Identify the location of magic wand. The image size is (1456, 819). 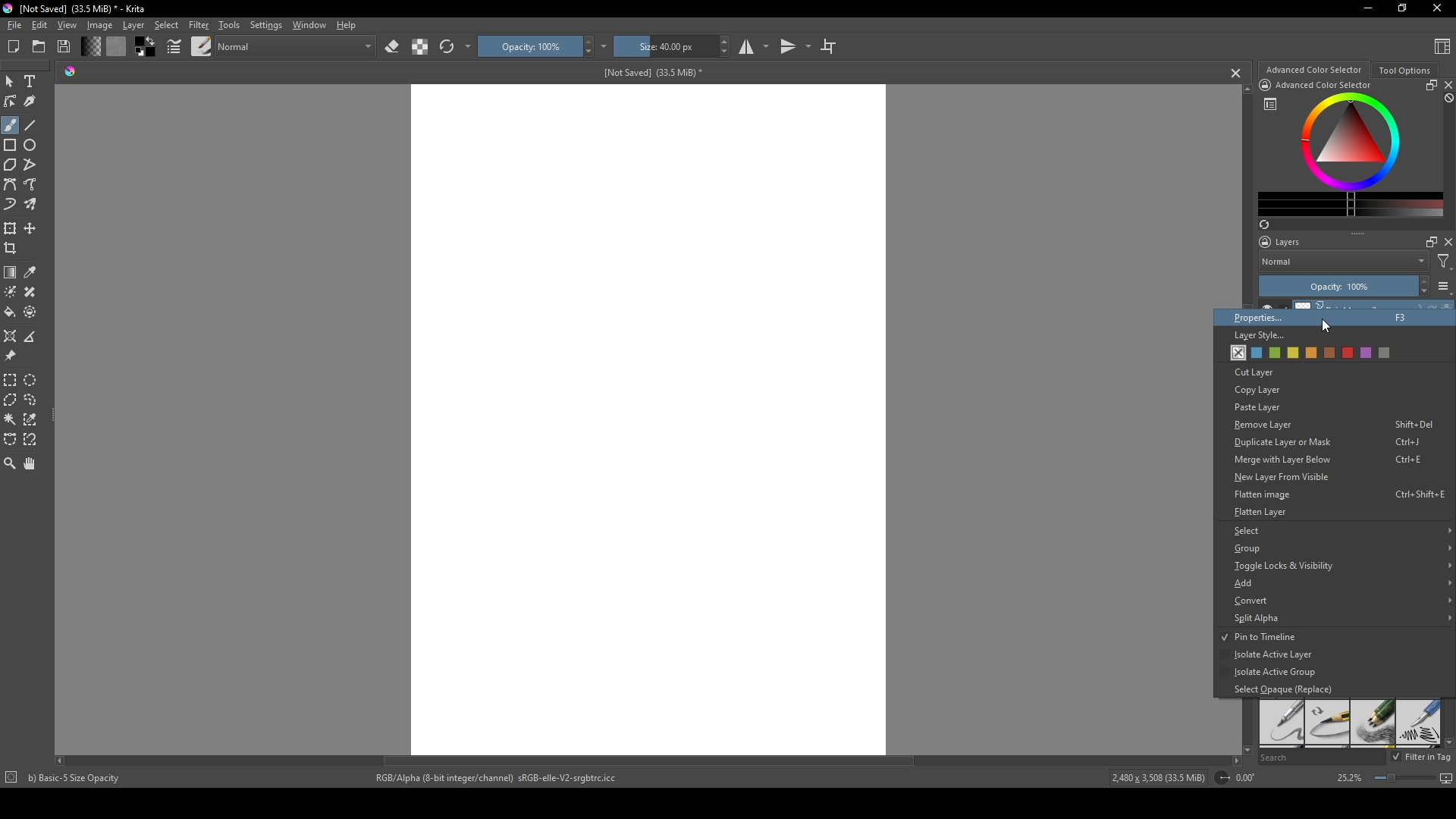
(10, 419).